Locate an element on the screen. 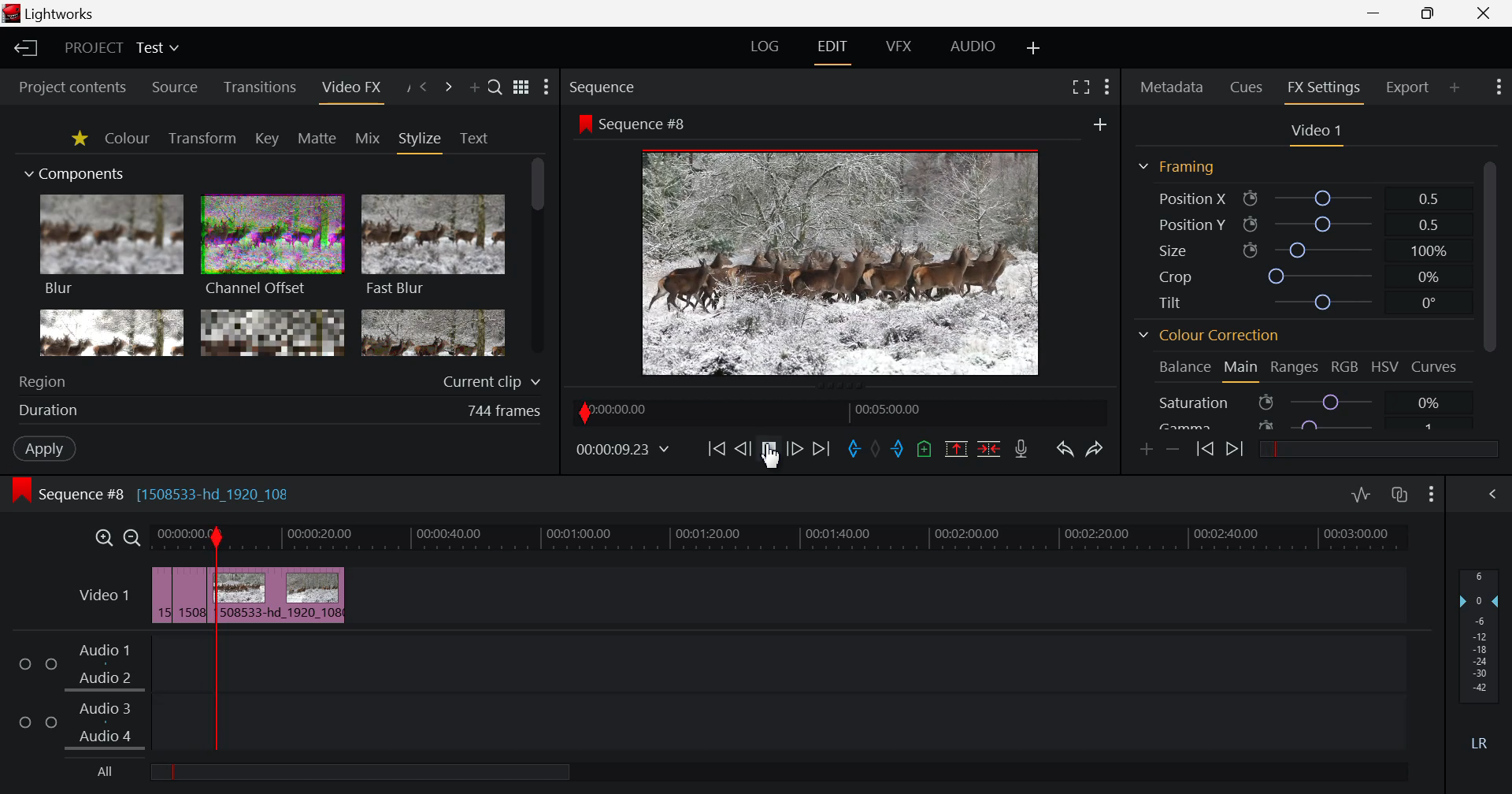 This screenshot has height=794, width=1512. Previous keyframe is located at coordinates (1203, 450).